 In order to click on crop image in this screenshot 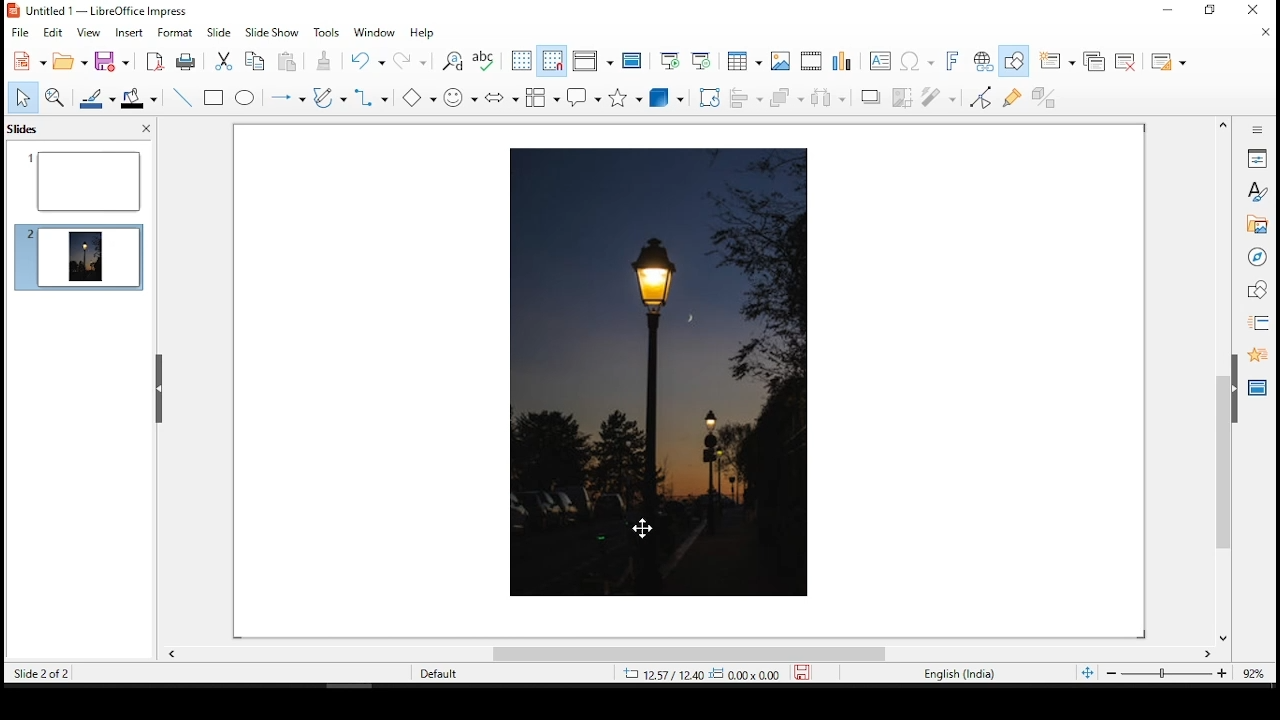, I will do `click(905, 98)`.